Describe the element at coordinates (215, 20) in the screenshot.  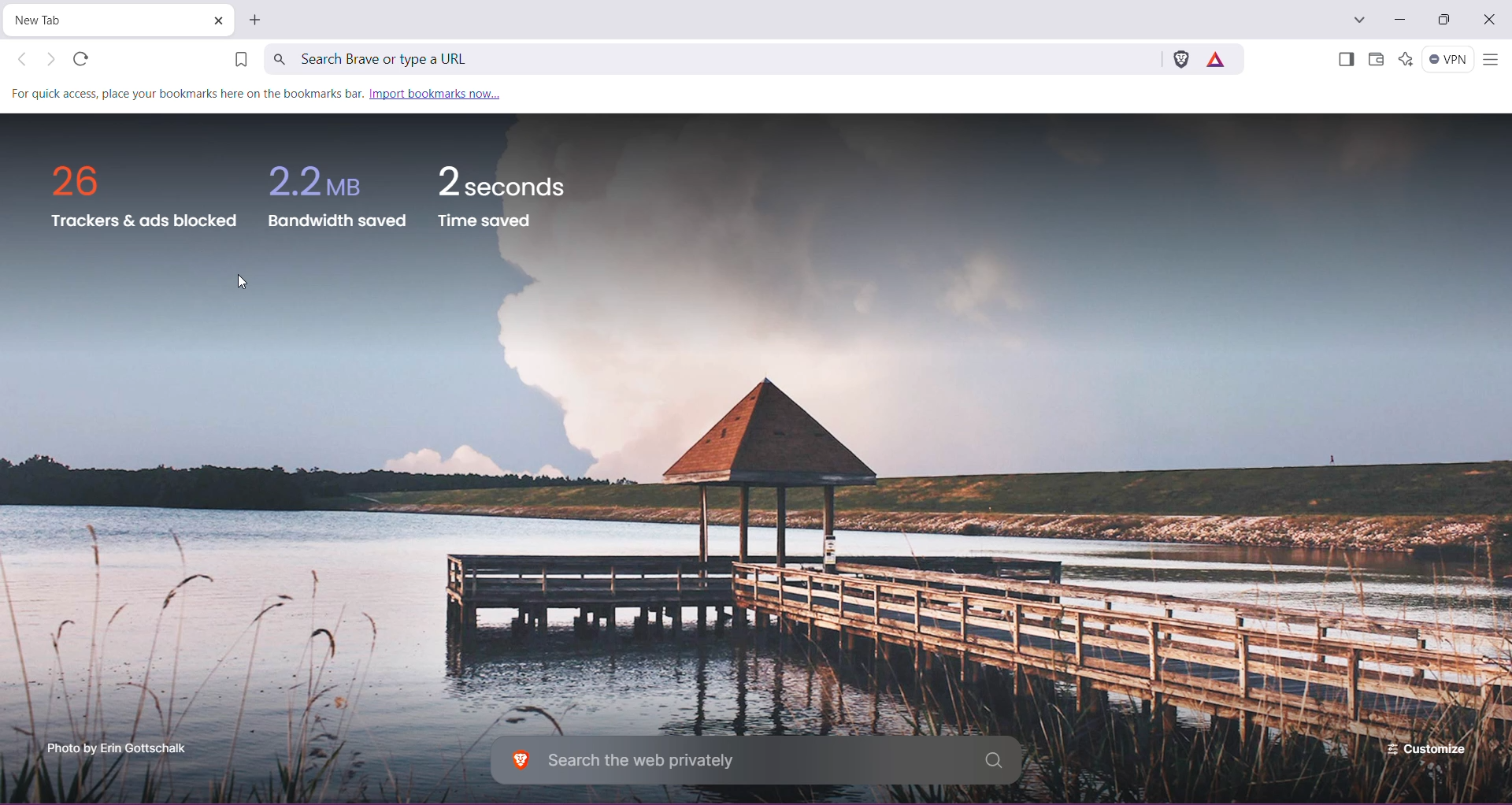
I see `Close Tab` at that location.